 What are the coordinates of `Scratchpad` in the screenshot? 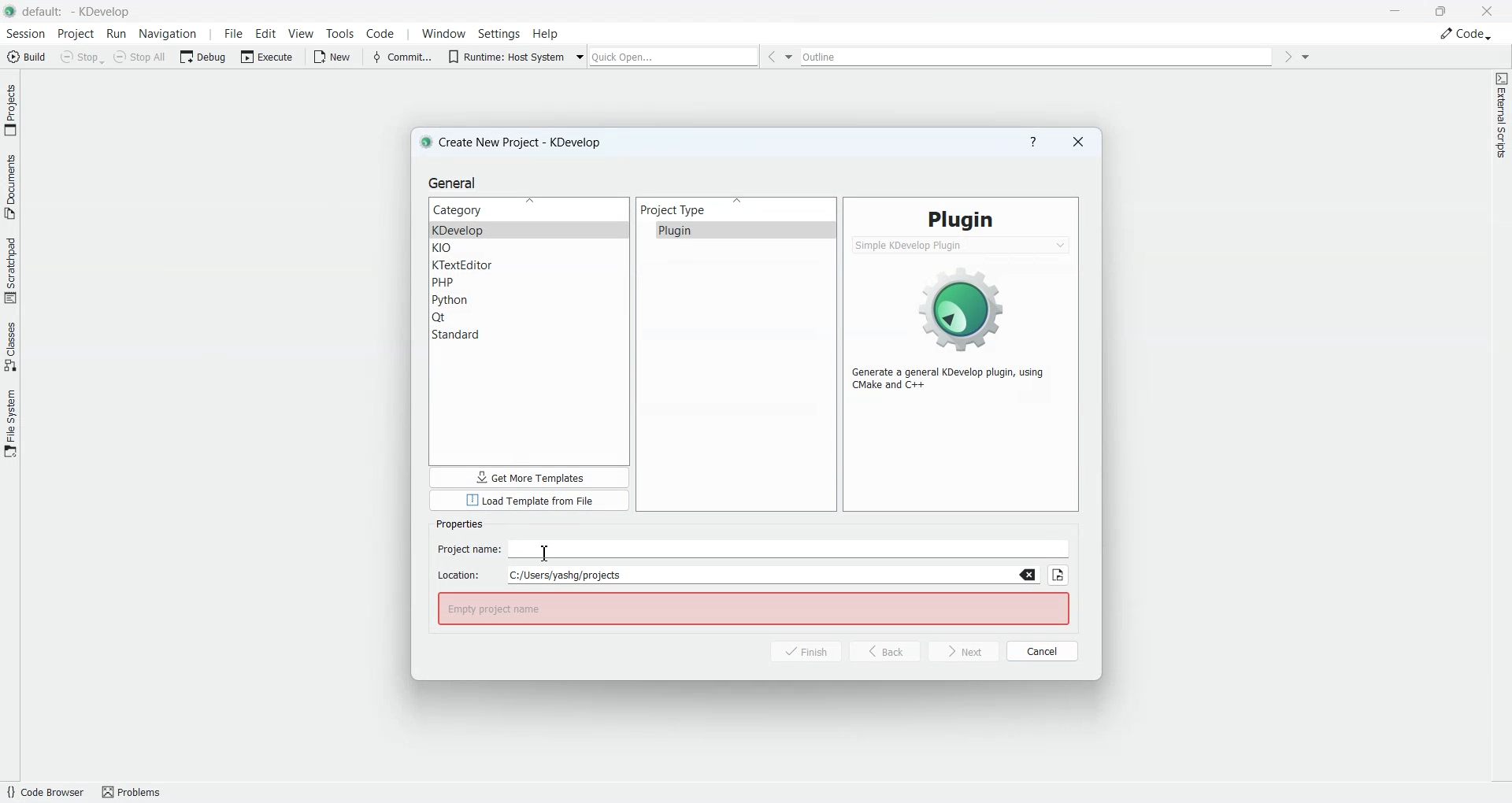 It's located at (10, 269).